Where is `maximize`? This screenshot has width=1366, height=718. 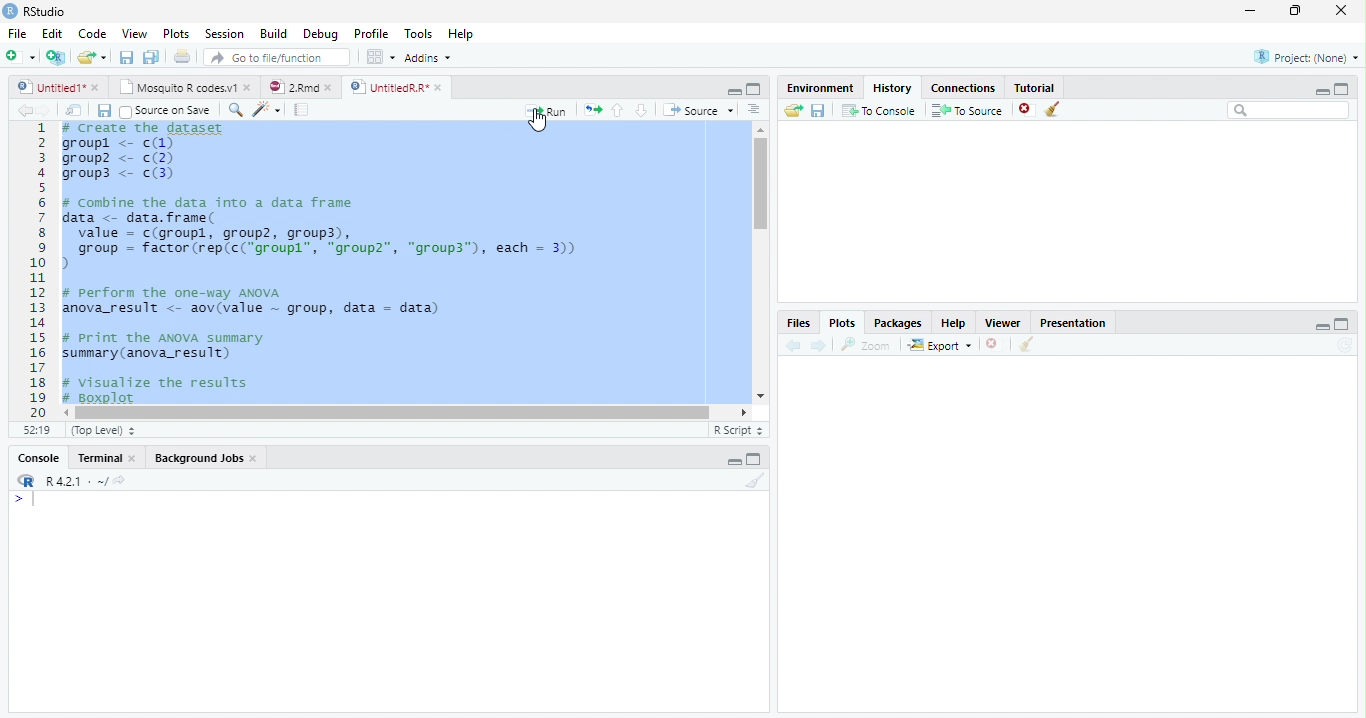 maximize is located at coordinates (1345, 88).